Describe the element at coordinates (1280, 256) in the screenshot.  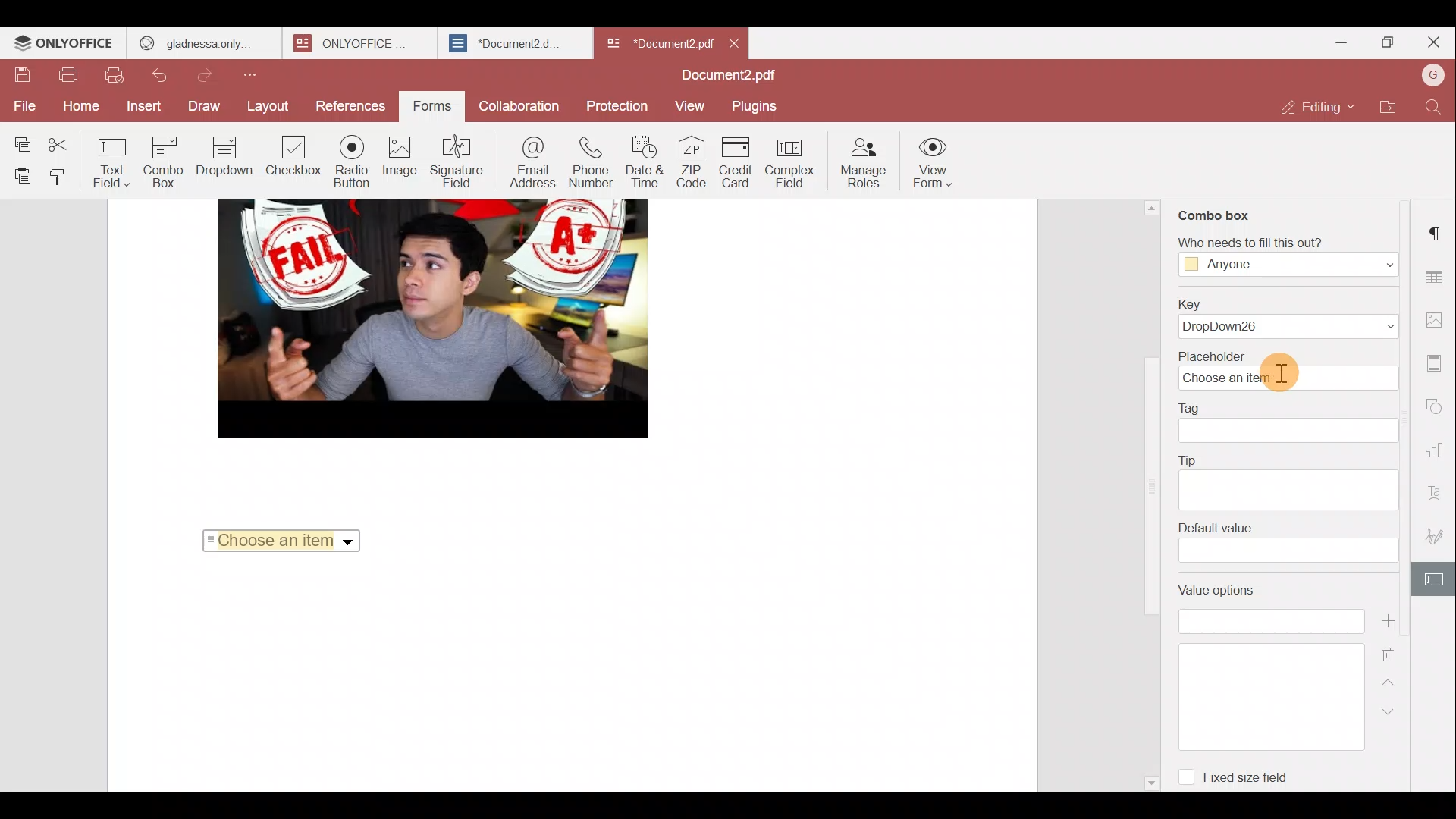
I see `‘Who needs to fill this out?` at that location.